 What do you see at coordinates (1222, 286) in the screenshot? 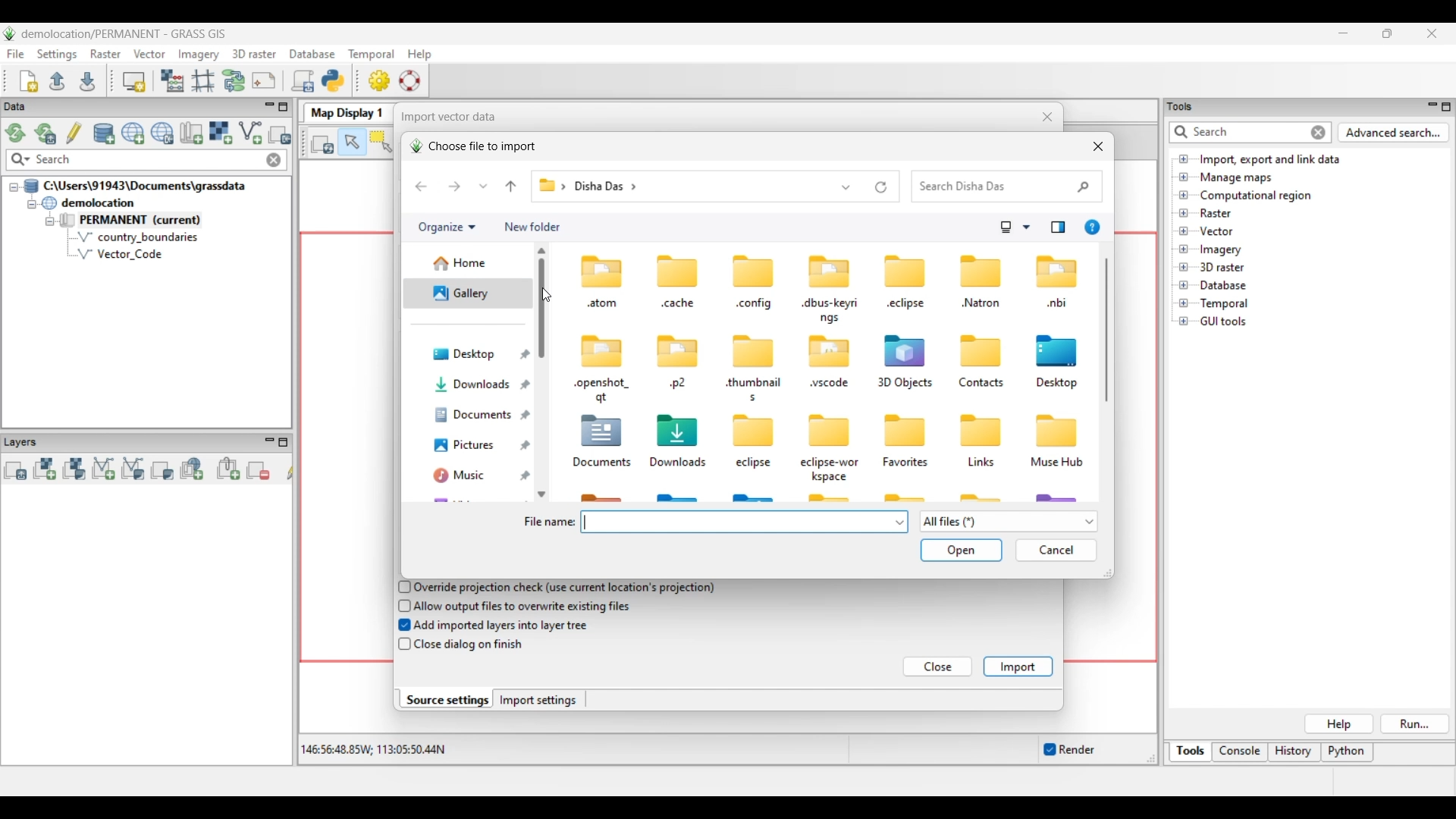
I see `Double click to see files under Database` at bounding box center [1222, 286].